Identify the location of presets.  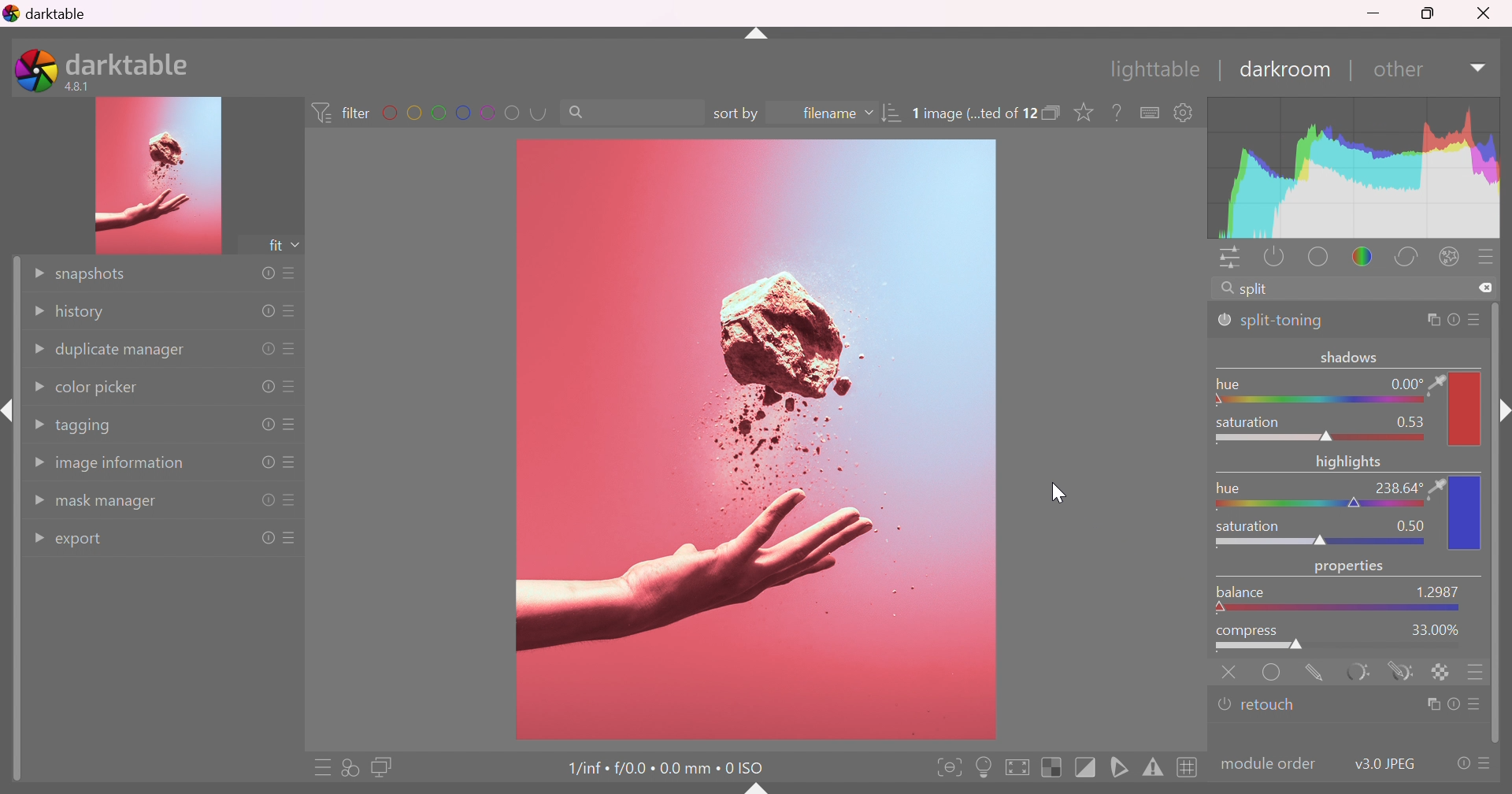
(1484, 258).